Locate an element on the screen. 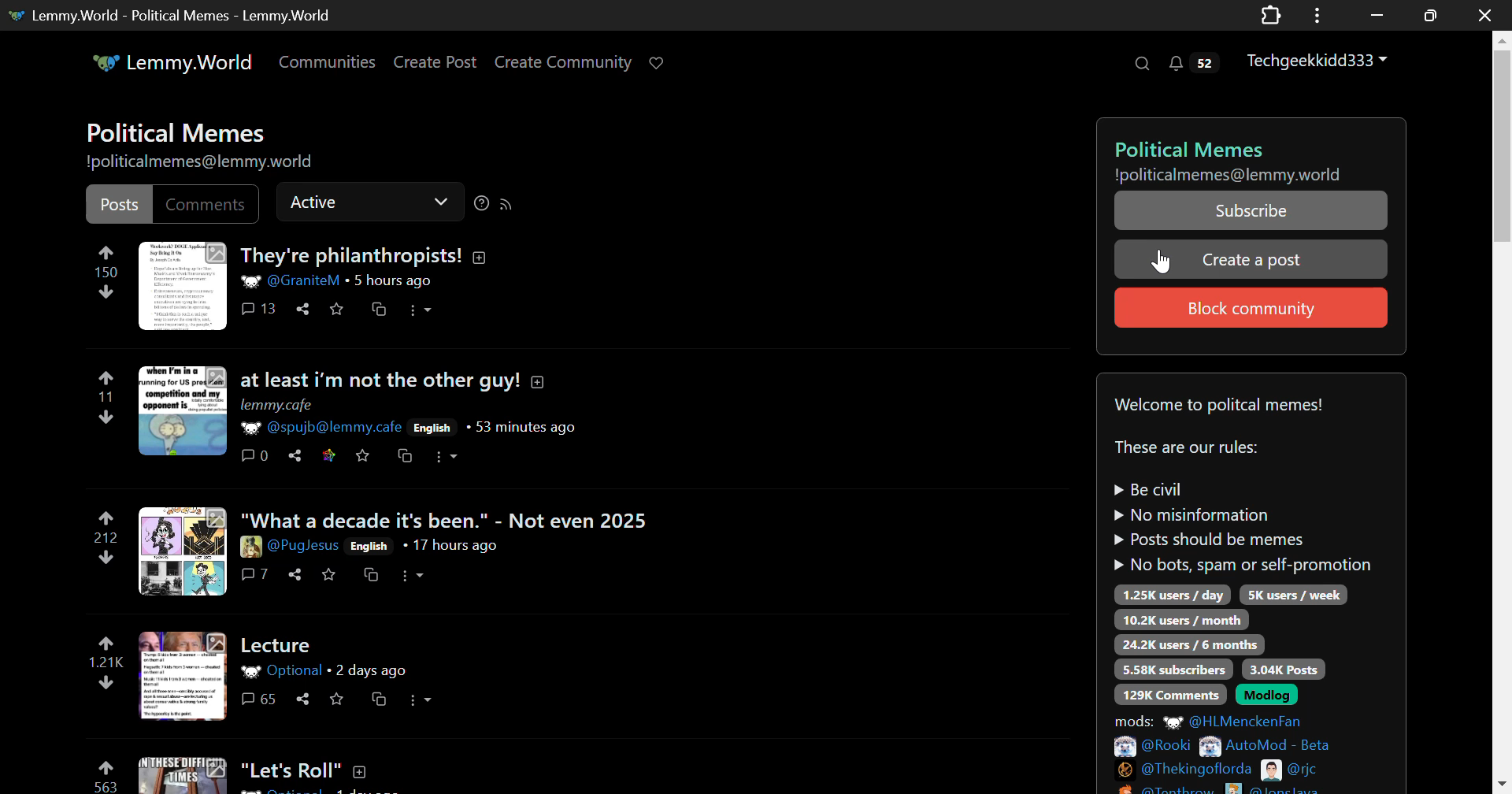 The height and width of the screenshot is (794, 1512). at least I'm not the other guy! is located at coordinates (417, 380).